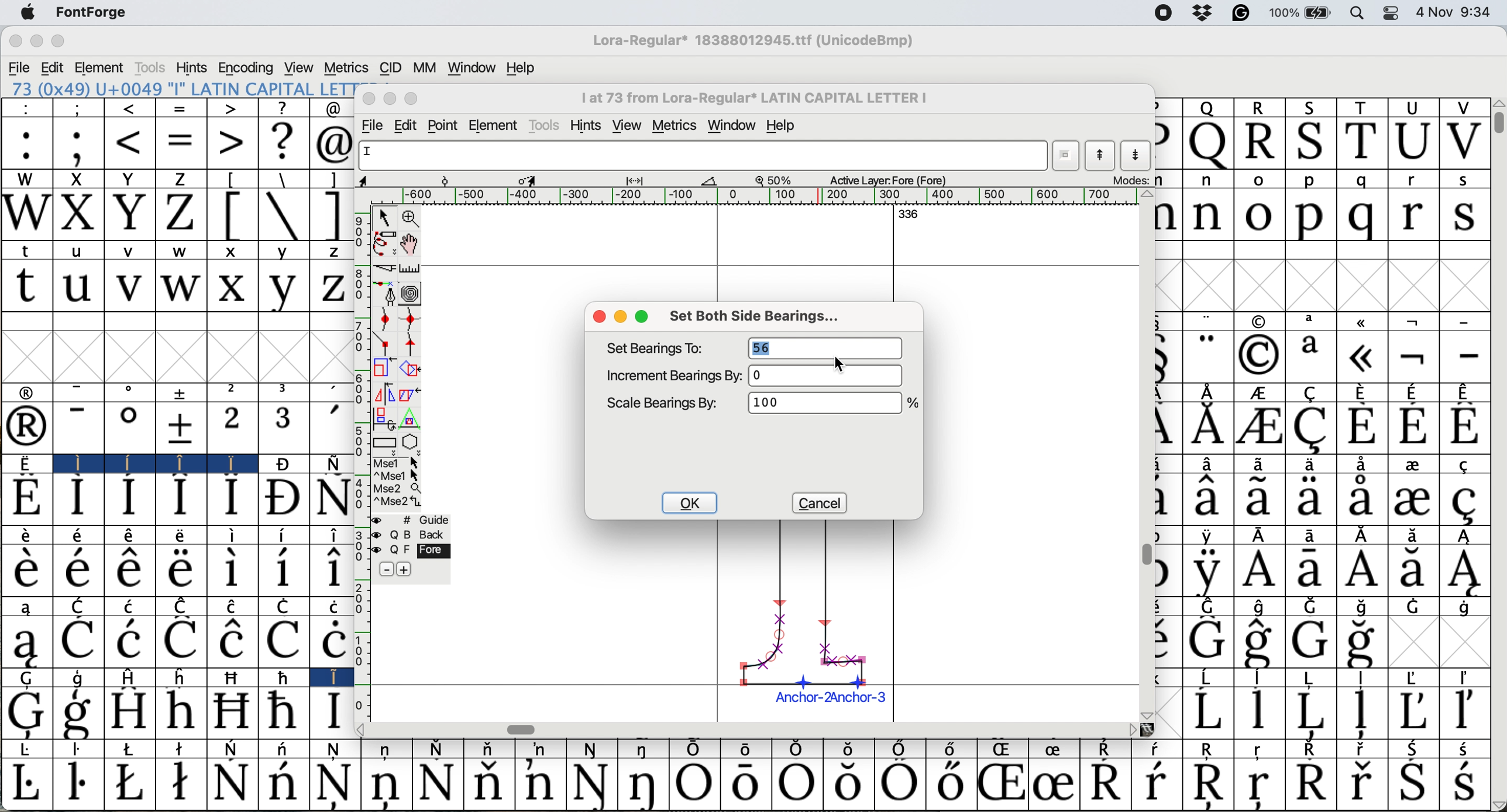 The width and height of the screenshot is (1507, 812). I want to click on Symbol, so click(1309, 465).